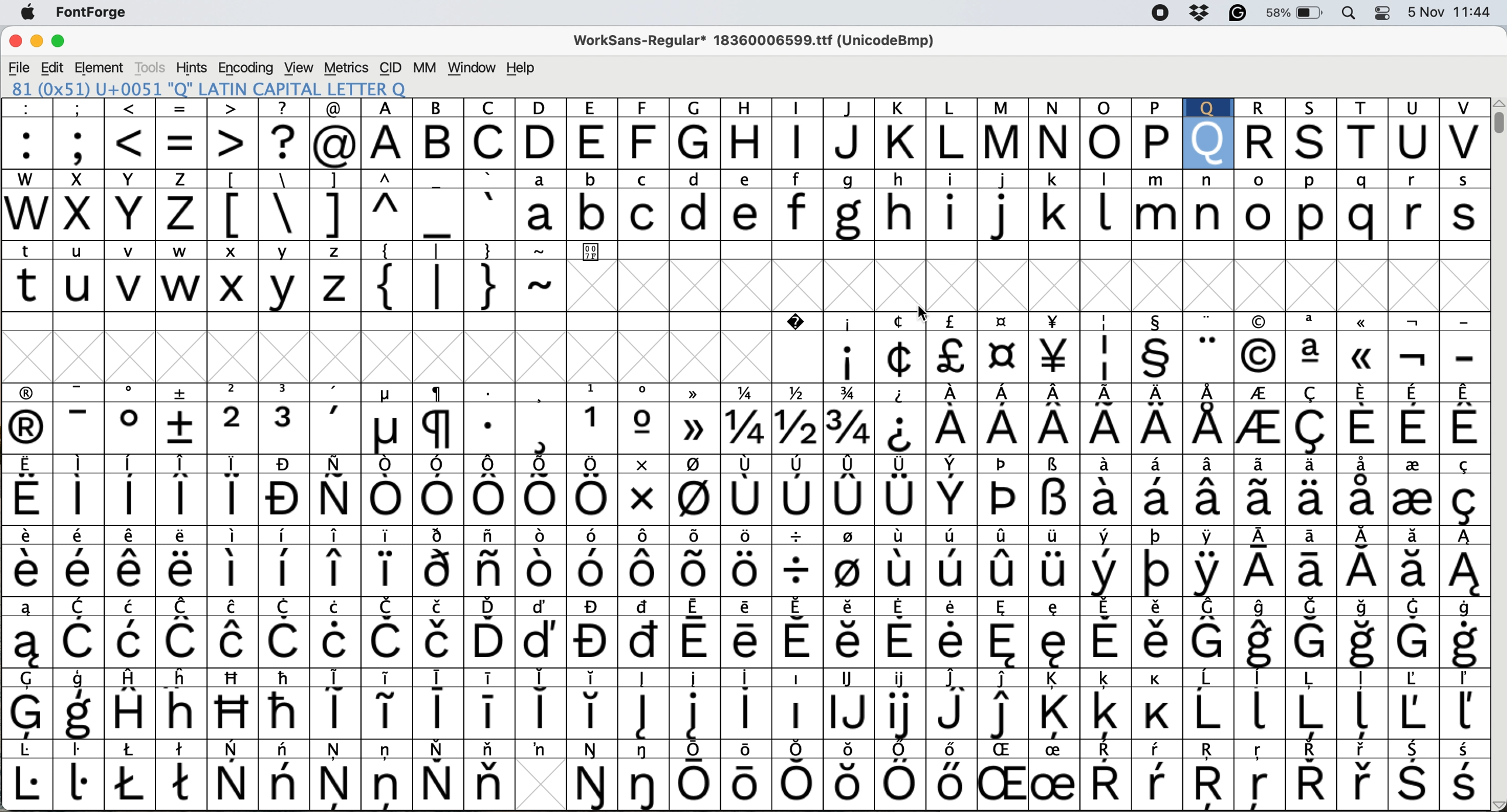  What do you see at coordinates (347, 67) in the screenshot?
I see `metrics` at bounding box center [347, 67].